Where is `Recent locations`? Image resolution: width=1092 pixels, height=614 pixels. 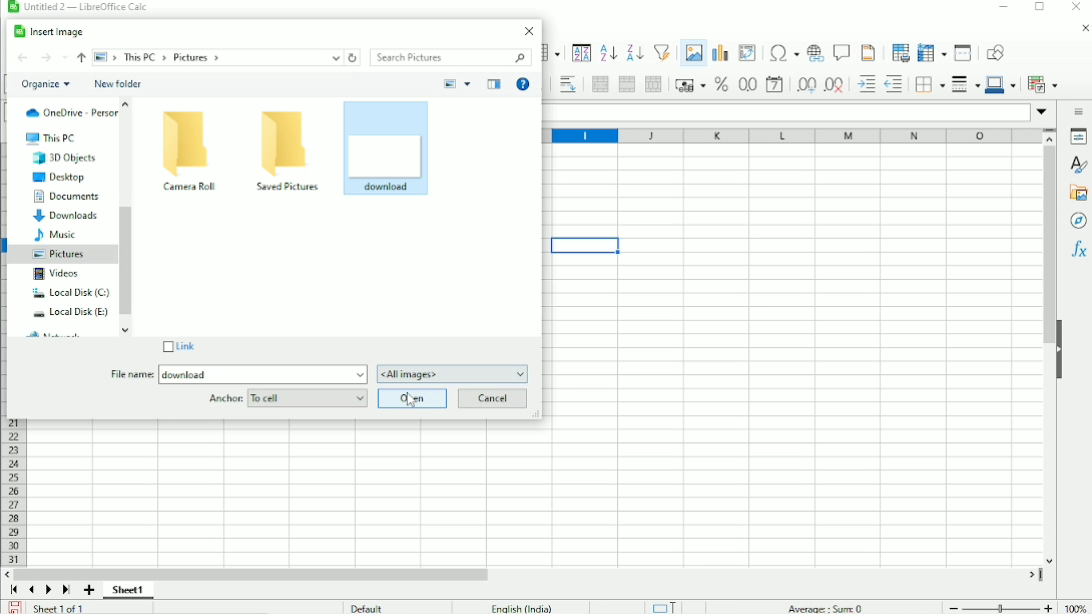
Recent locations is located at coordinates (65, 56).